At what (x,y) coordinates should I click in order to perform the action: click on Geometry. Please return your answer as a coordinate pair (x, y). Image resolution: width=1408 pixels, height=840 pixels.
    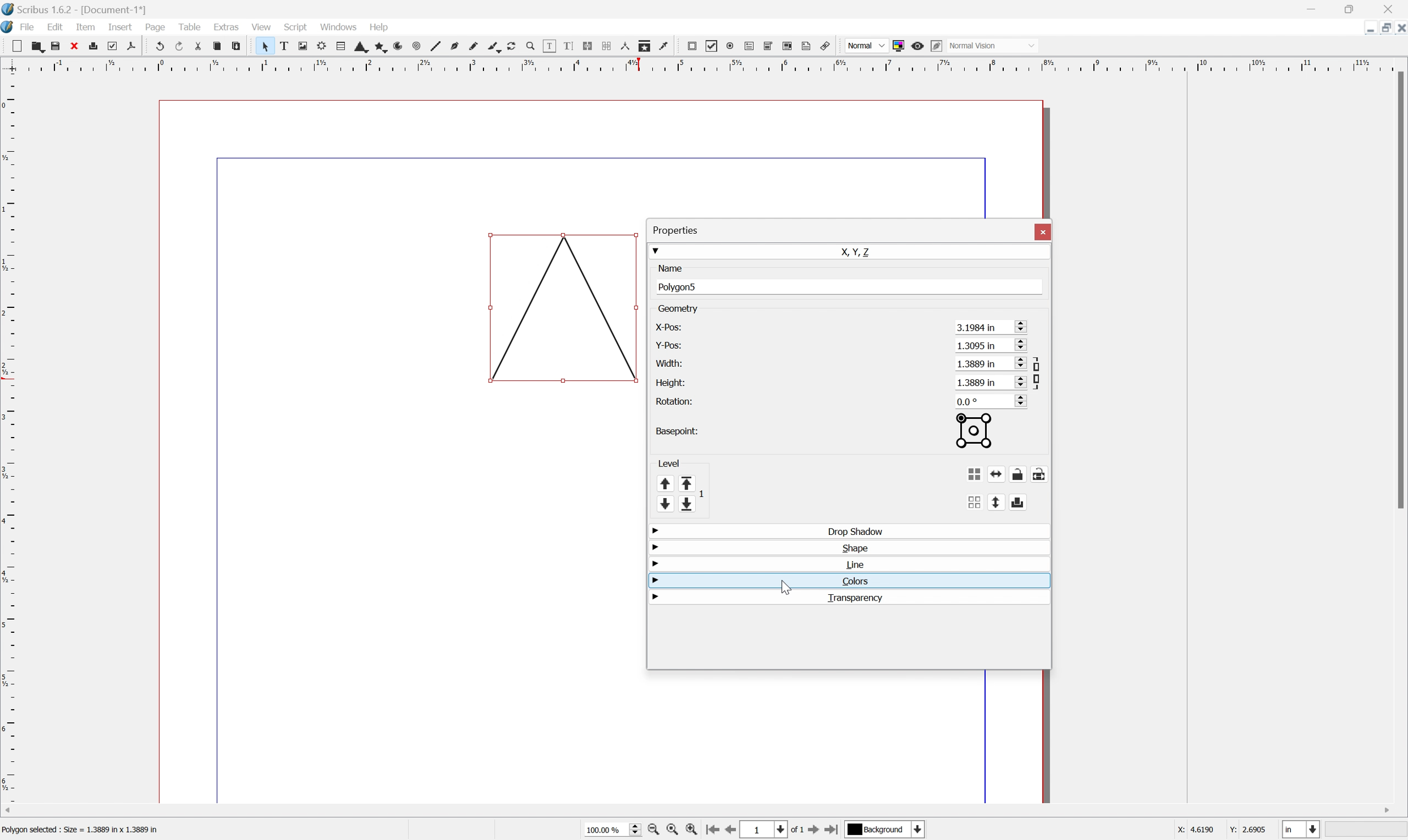
    Looking at the image, I should click on (679, 308).